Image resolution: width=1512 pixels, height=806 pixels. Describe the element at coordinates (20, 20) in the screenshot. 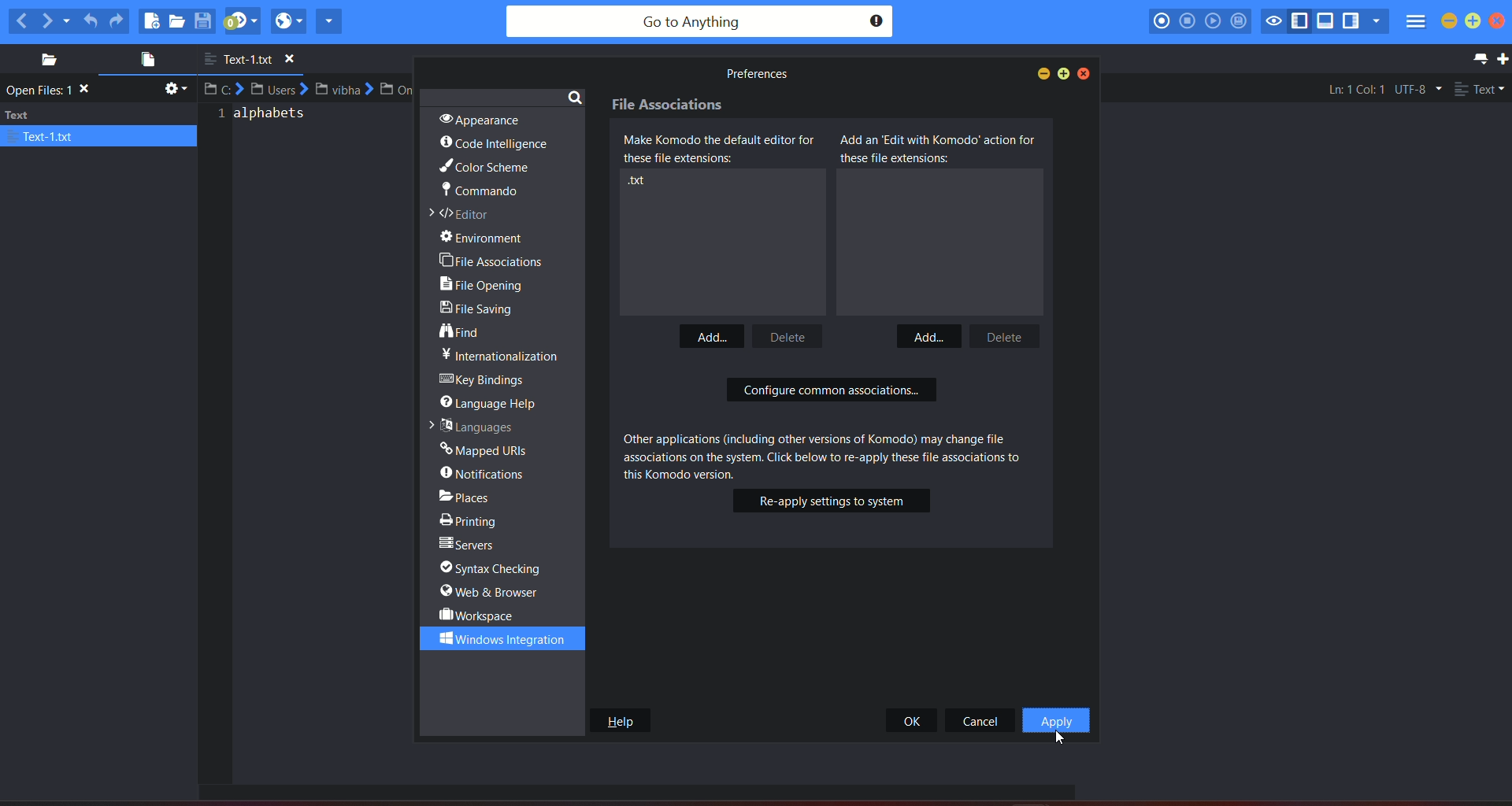

I see `previous` at that location.